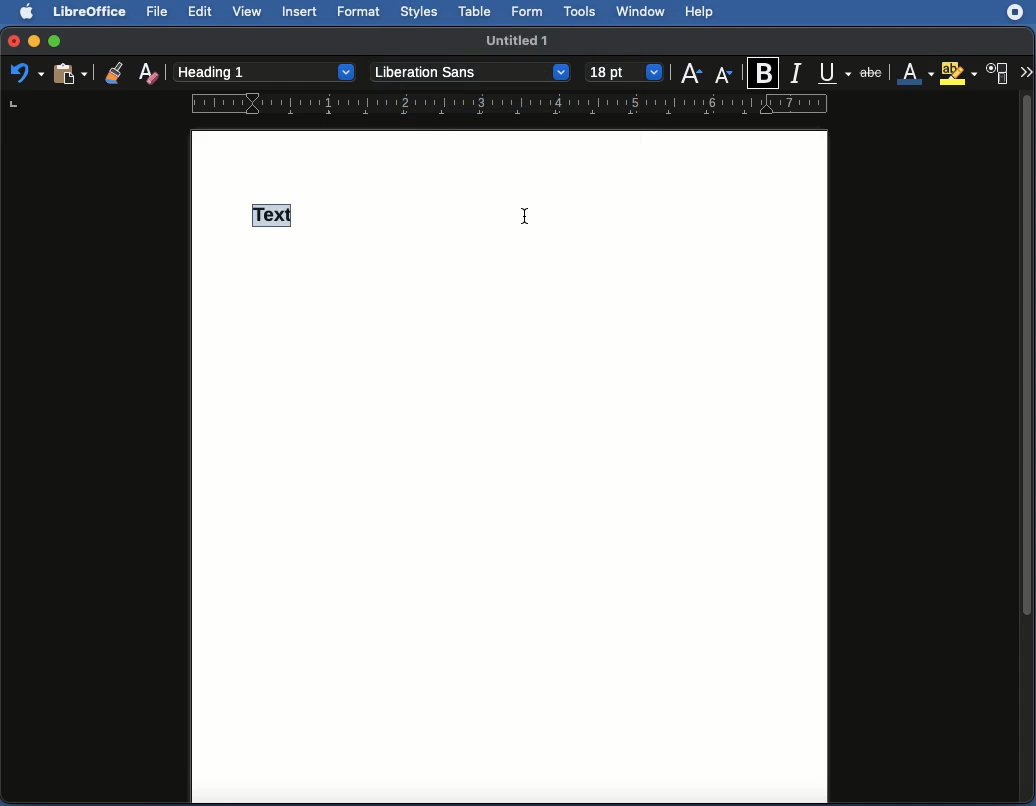 This screenshot has height=806, width=1036. What do you see at coordinates (693, 73) in the screenshot?
I see `Size increase` at bounding box center [693, 73].